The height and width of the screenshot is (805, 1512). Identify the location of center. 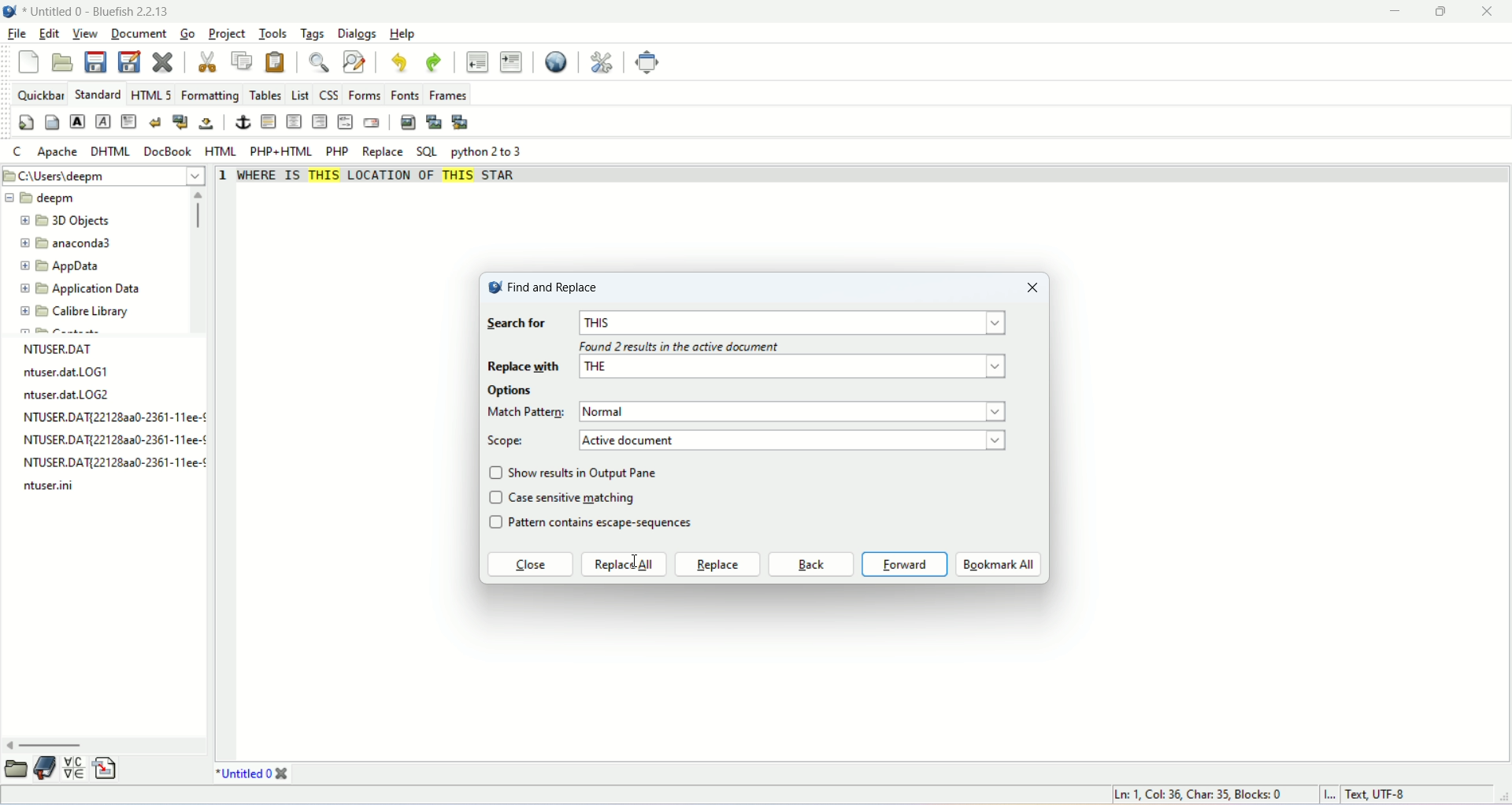
(294, 122).